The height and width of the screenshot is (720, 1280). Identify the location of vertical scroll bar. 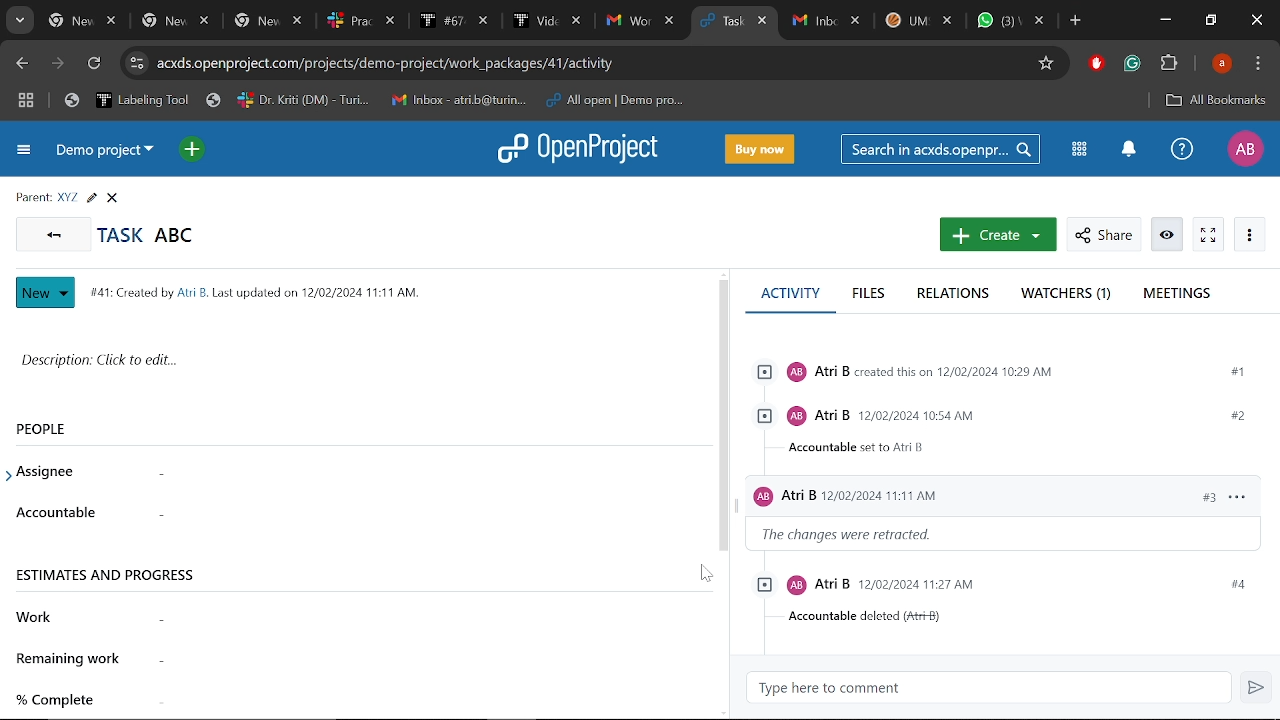
(723, 415).